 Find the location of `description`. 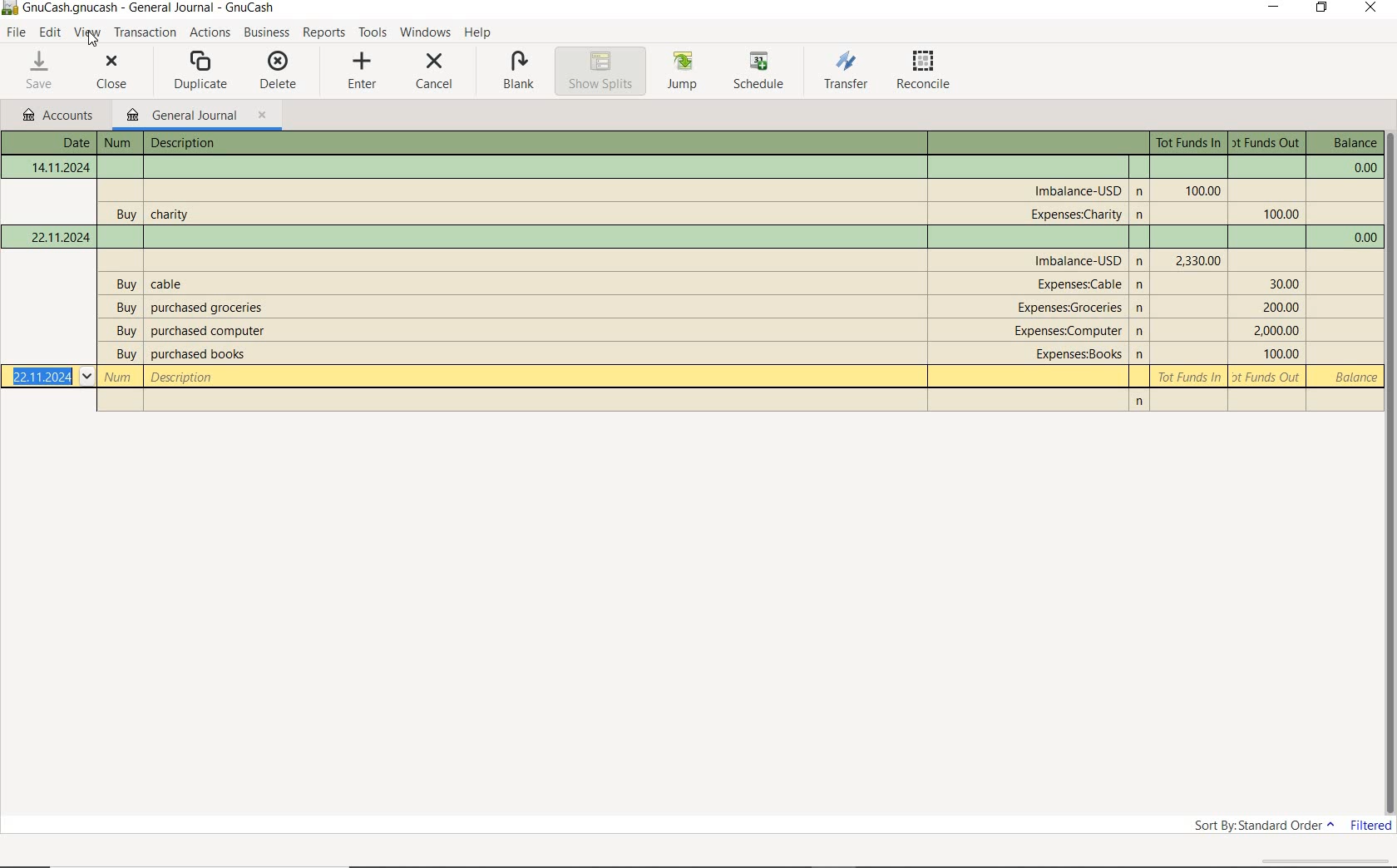

description is located at coordinates (208, 332).